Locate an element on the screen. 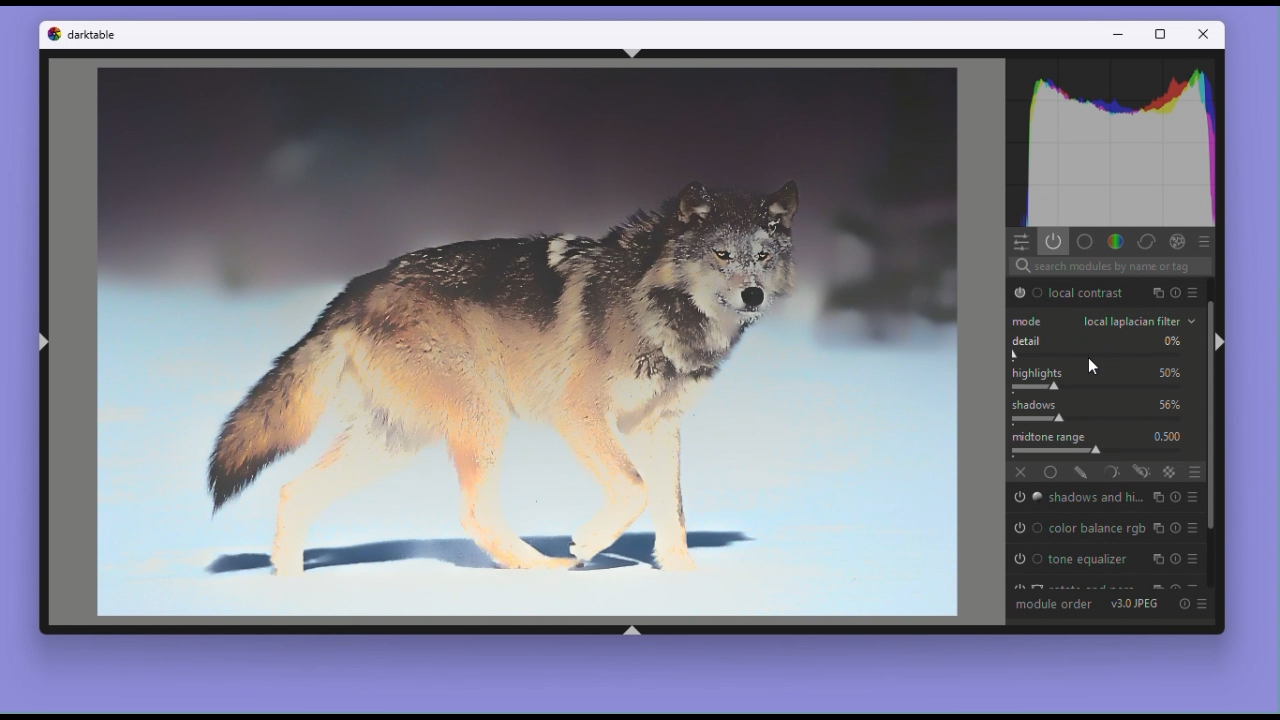 Image resolution: width=1280 pixels, height=720 pixels. shadows and highlights is located at coordinates (1093, 499).